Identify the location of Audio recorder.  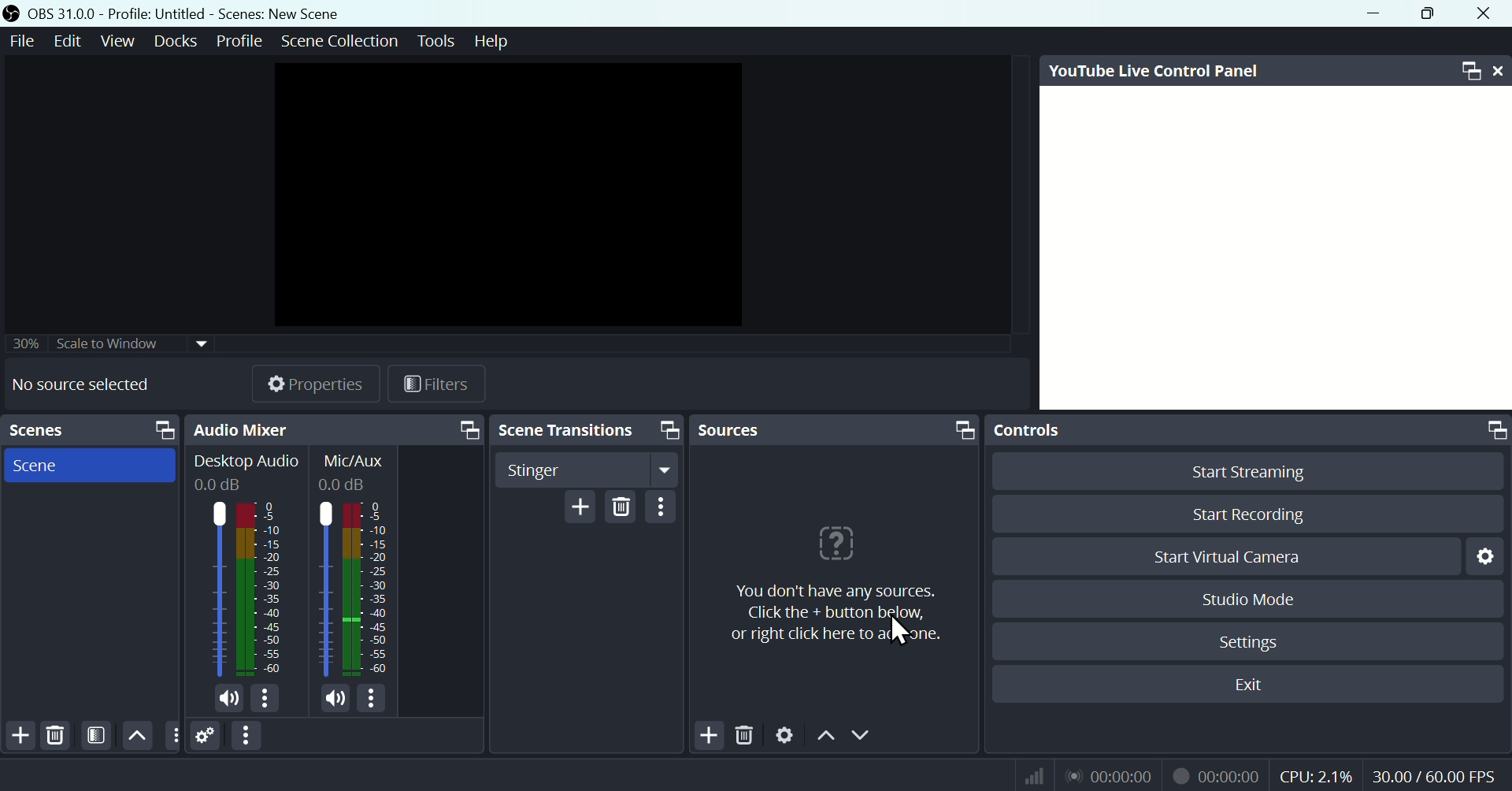
(1108, 775).